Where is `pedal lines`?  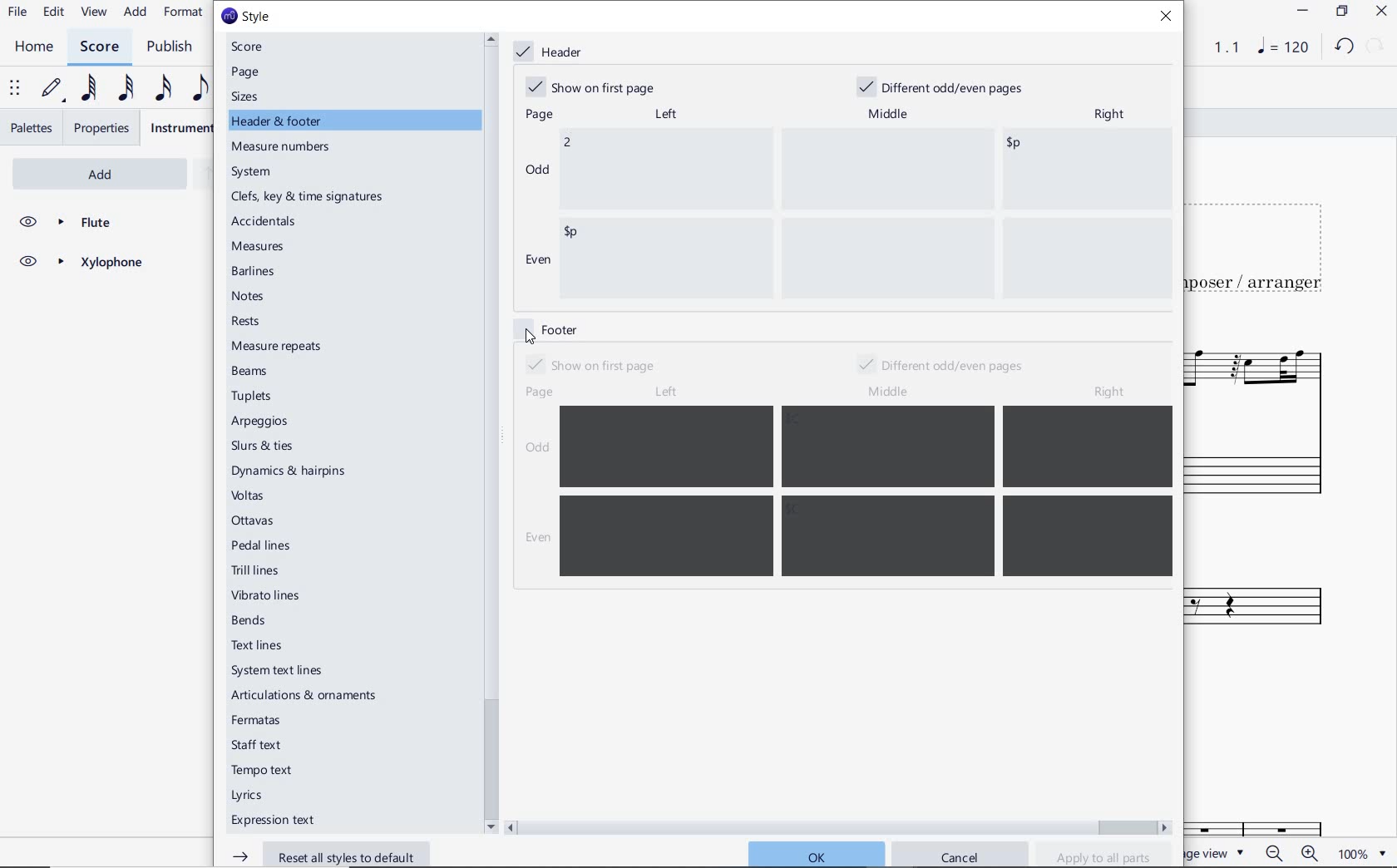 pedal lines is located at coordinates (263, 545).